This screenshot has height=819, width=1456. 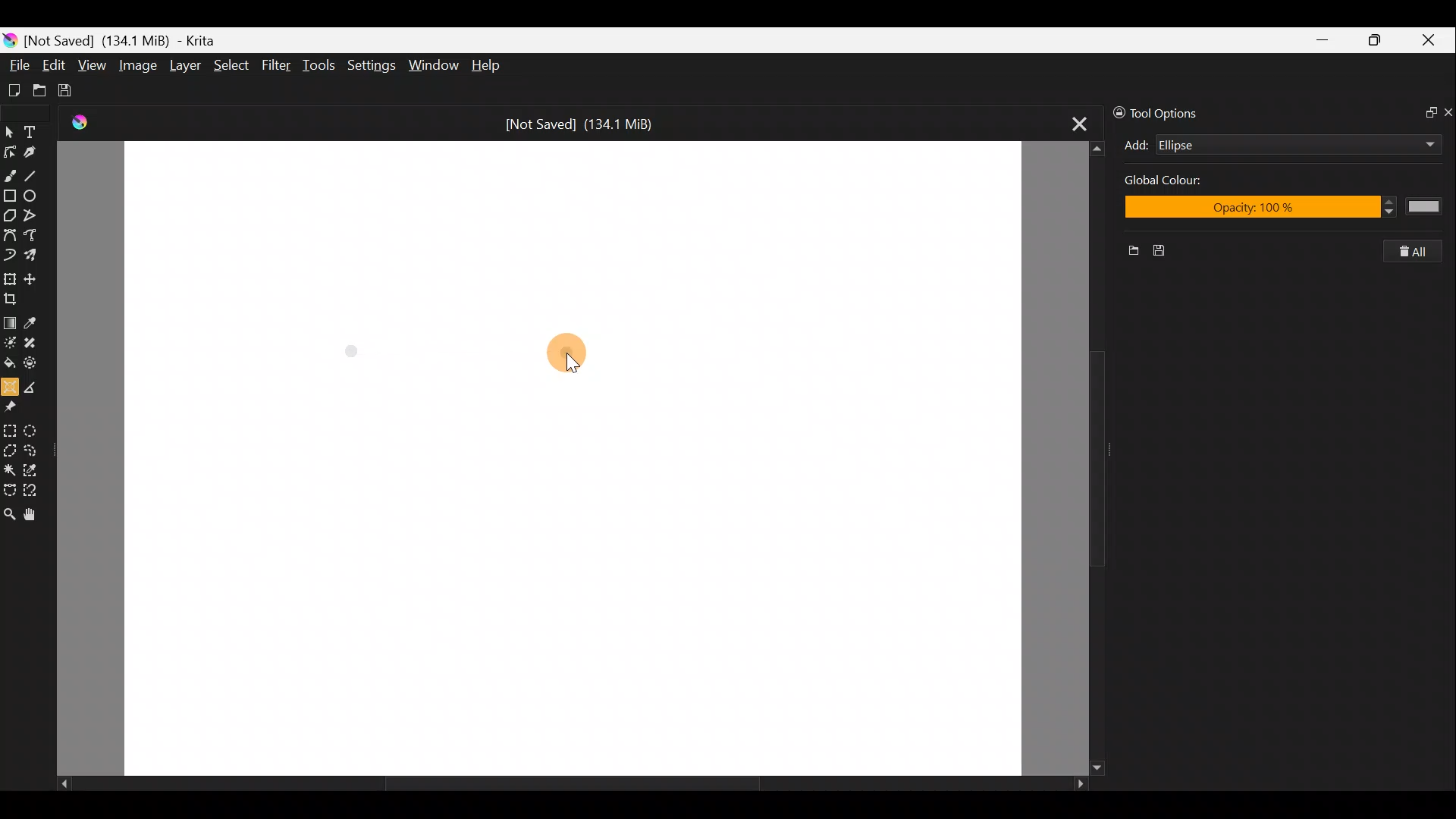 What do you see at coordinates (1168, 251) in the screenshot?
I see `Save` at bounding box center [1168, 251].